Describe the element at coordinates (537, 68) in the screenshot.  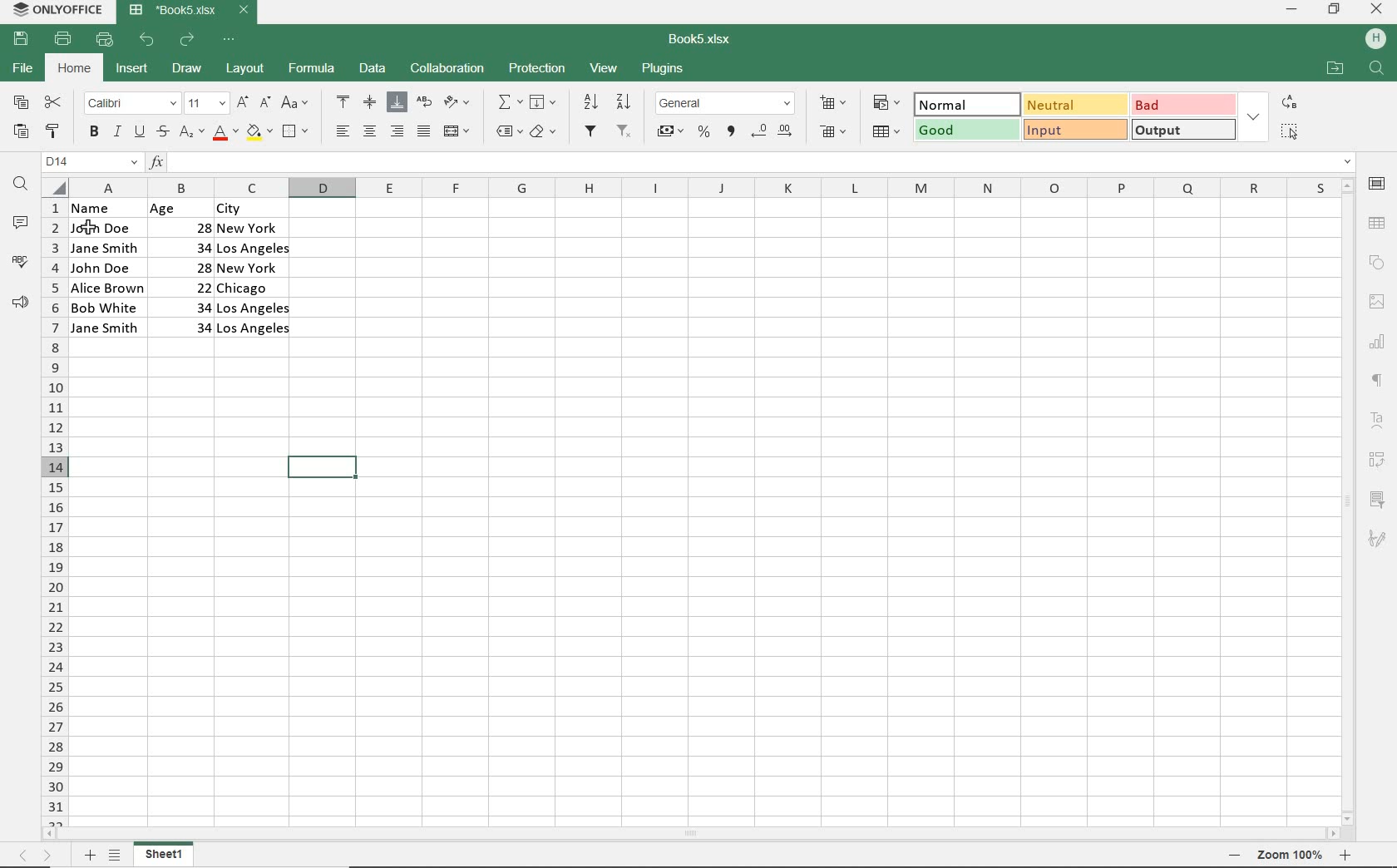
I see `PROTECTION` at that location.